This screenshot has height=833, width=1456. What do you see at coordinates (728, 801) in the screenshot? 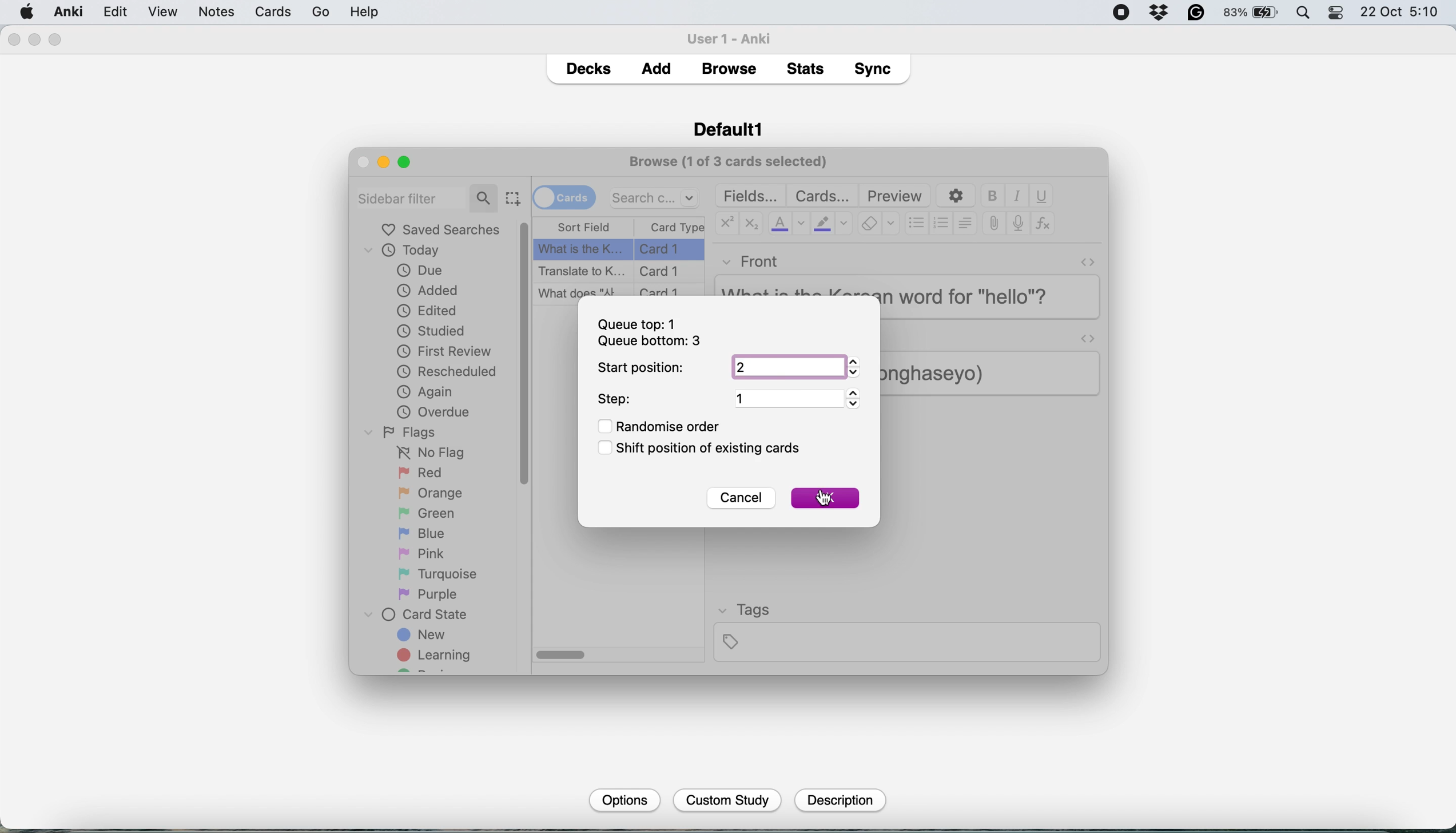
I see `Custom study` at bounding box center [728, 801].